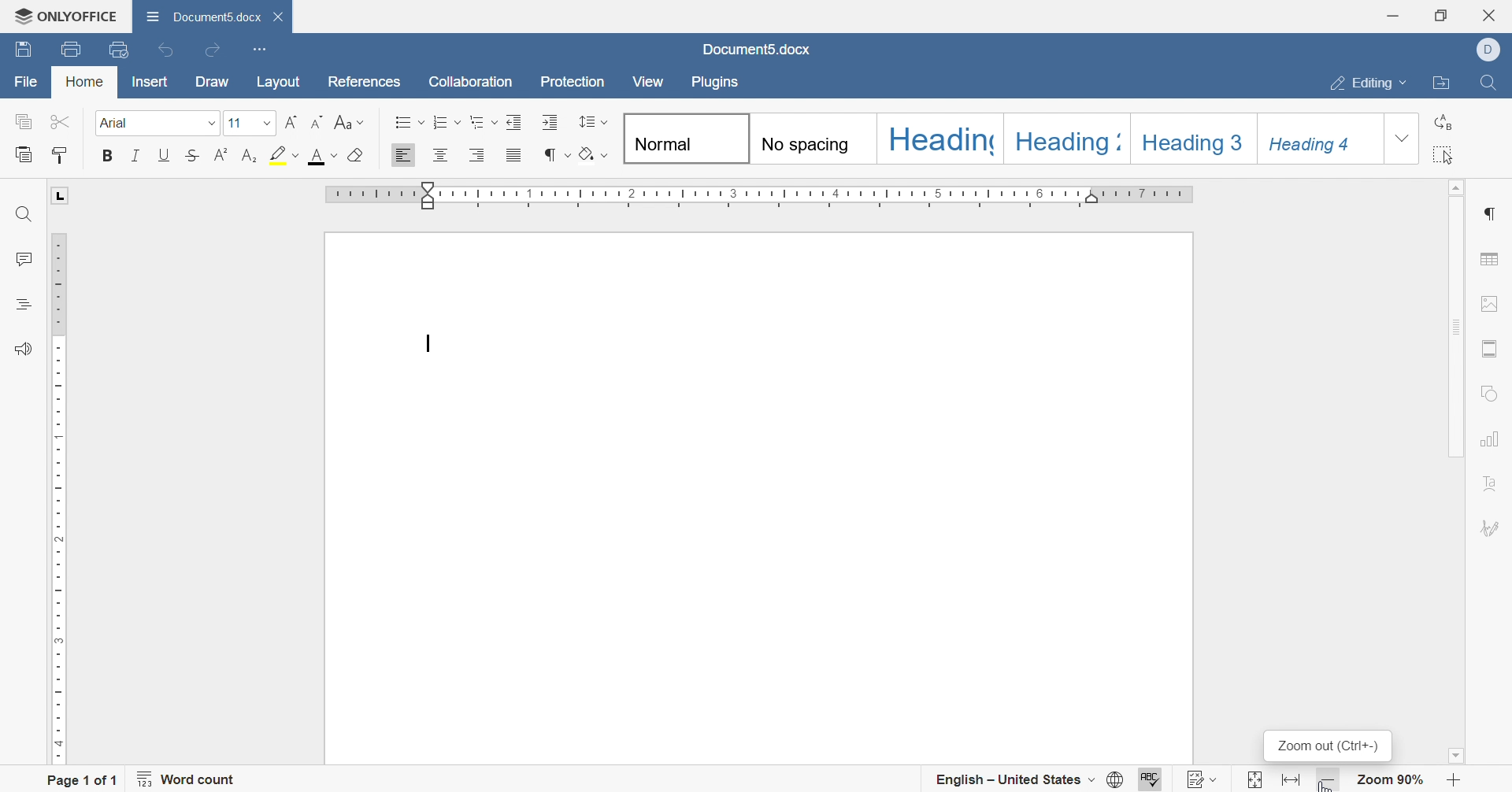  I want to click on english - united states, so click(1012, 781).